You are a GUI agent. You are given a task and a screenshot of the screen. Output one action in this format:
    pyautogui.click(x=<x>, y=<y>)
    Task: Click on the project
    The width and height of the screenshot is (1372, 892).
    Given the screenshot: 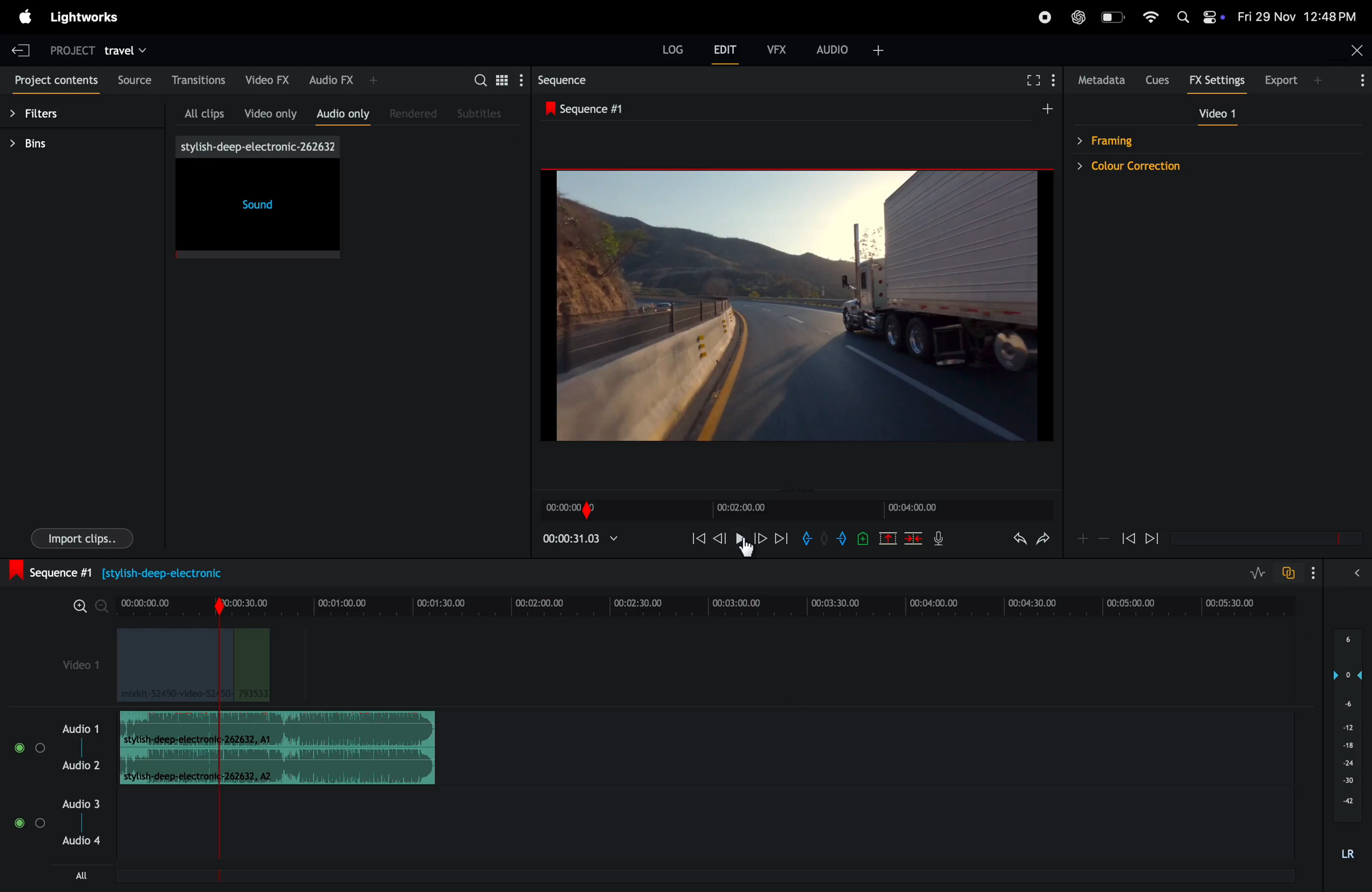 What is the action you would take?
    pyautogui.click(x=67, y=48)
    